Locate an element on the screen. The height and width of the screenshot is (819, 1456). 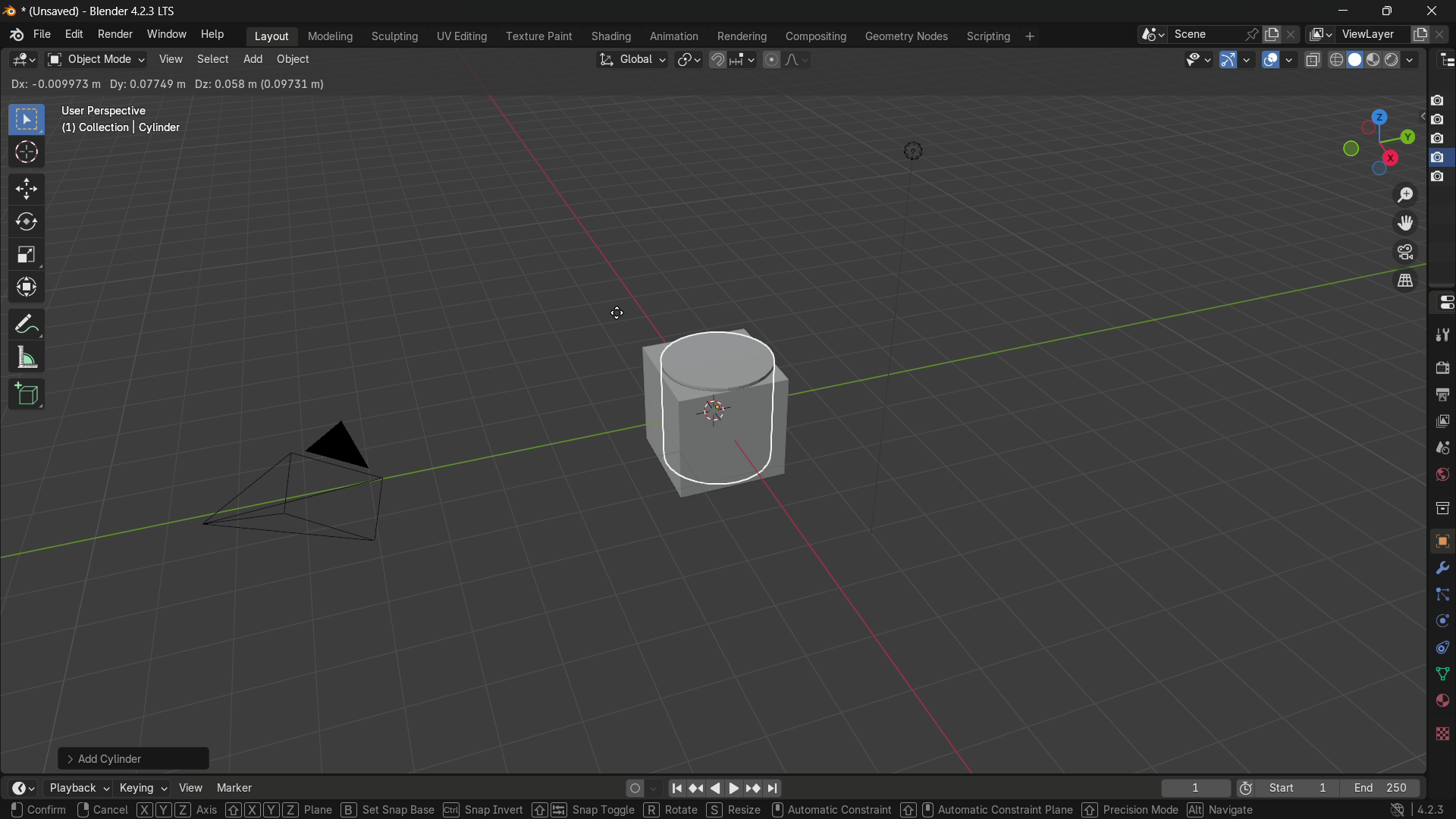
collection is located at coordinates (1439, 508).